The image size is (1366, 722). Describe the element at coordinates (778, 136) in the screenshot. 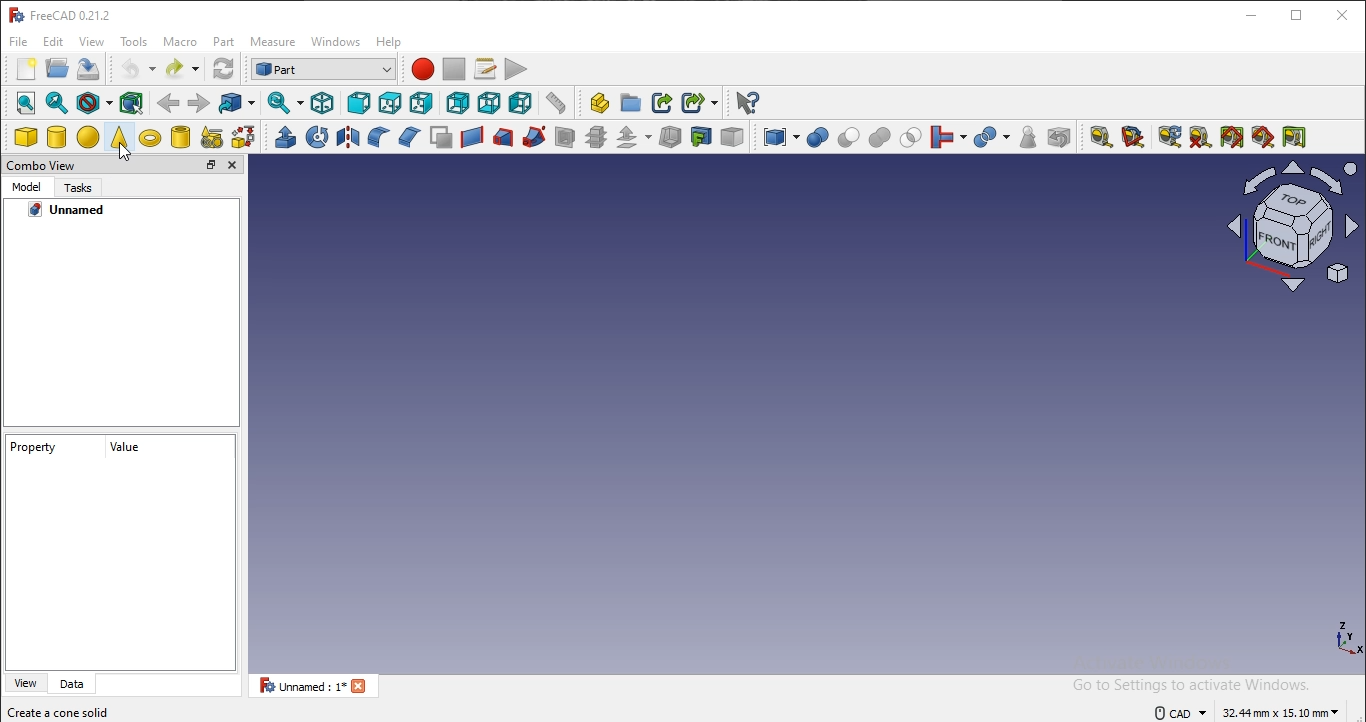

I see `` at that location.